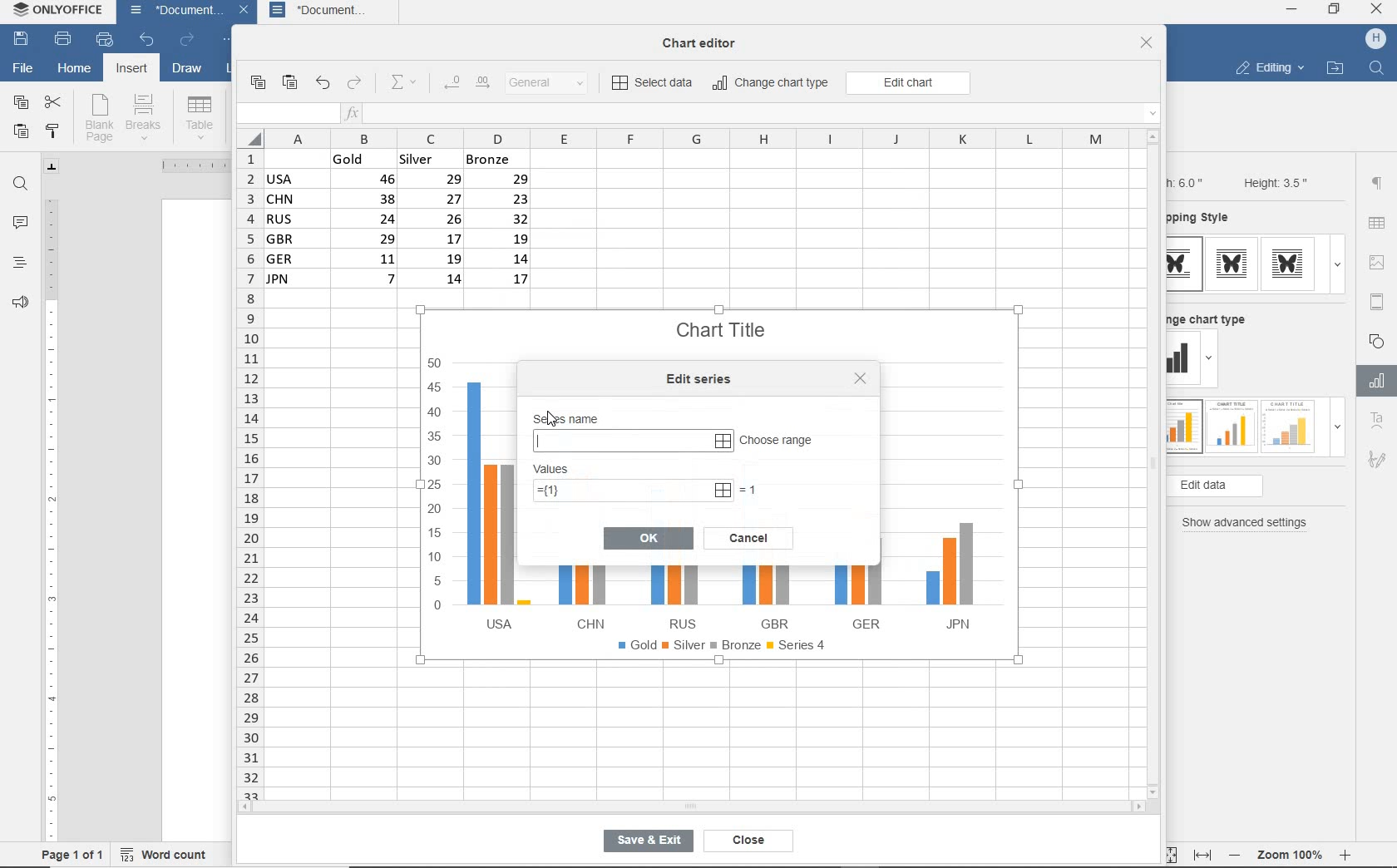  Describe the element at coordinates (54, 131) in the screenshot. I see `copy style` at that location.